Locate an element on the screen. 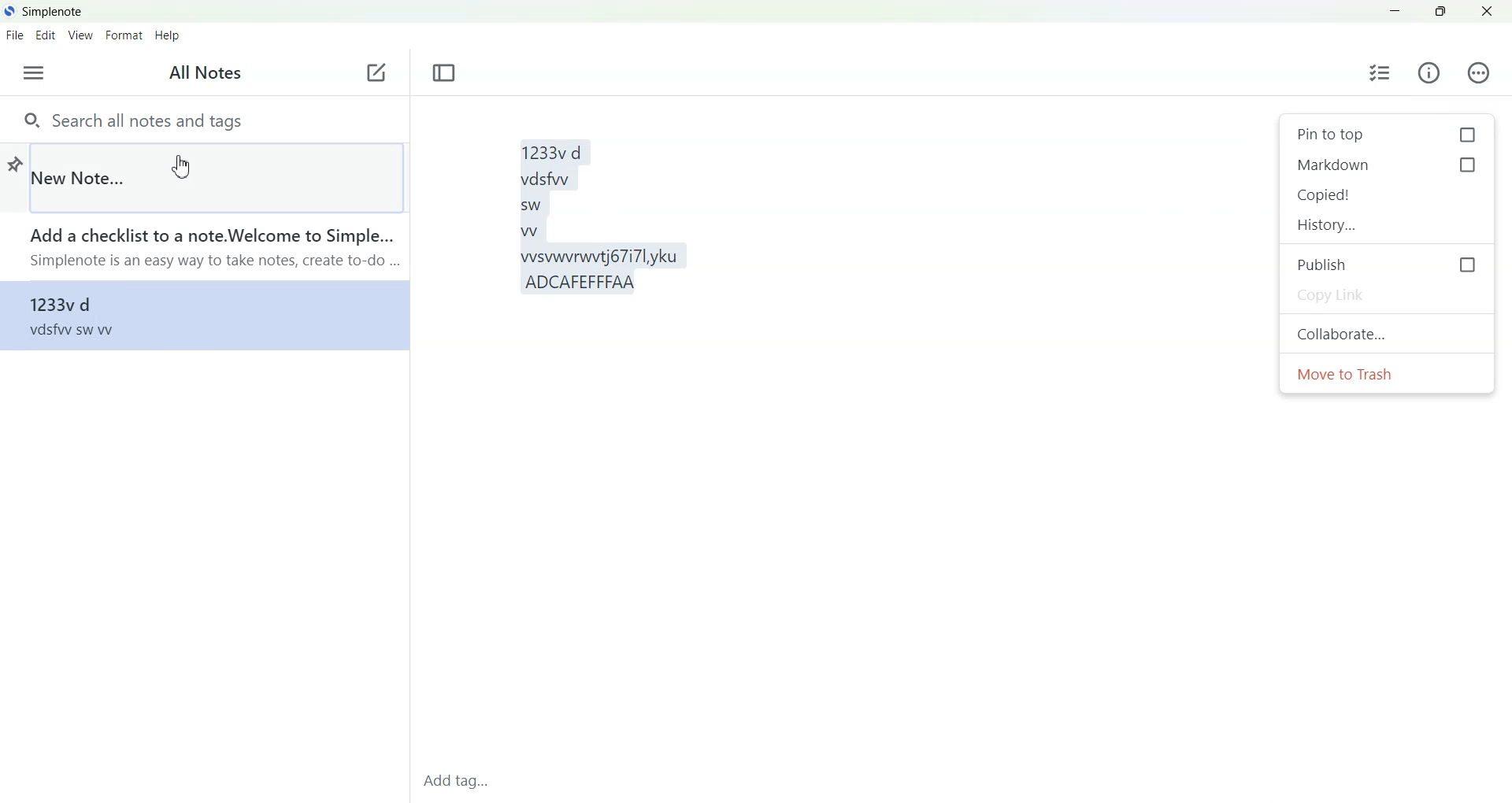  Menu is located at coordinates (33, 73).